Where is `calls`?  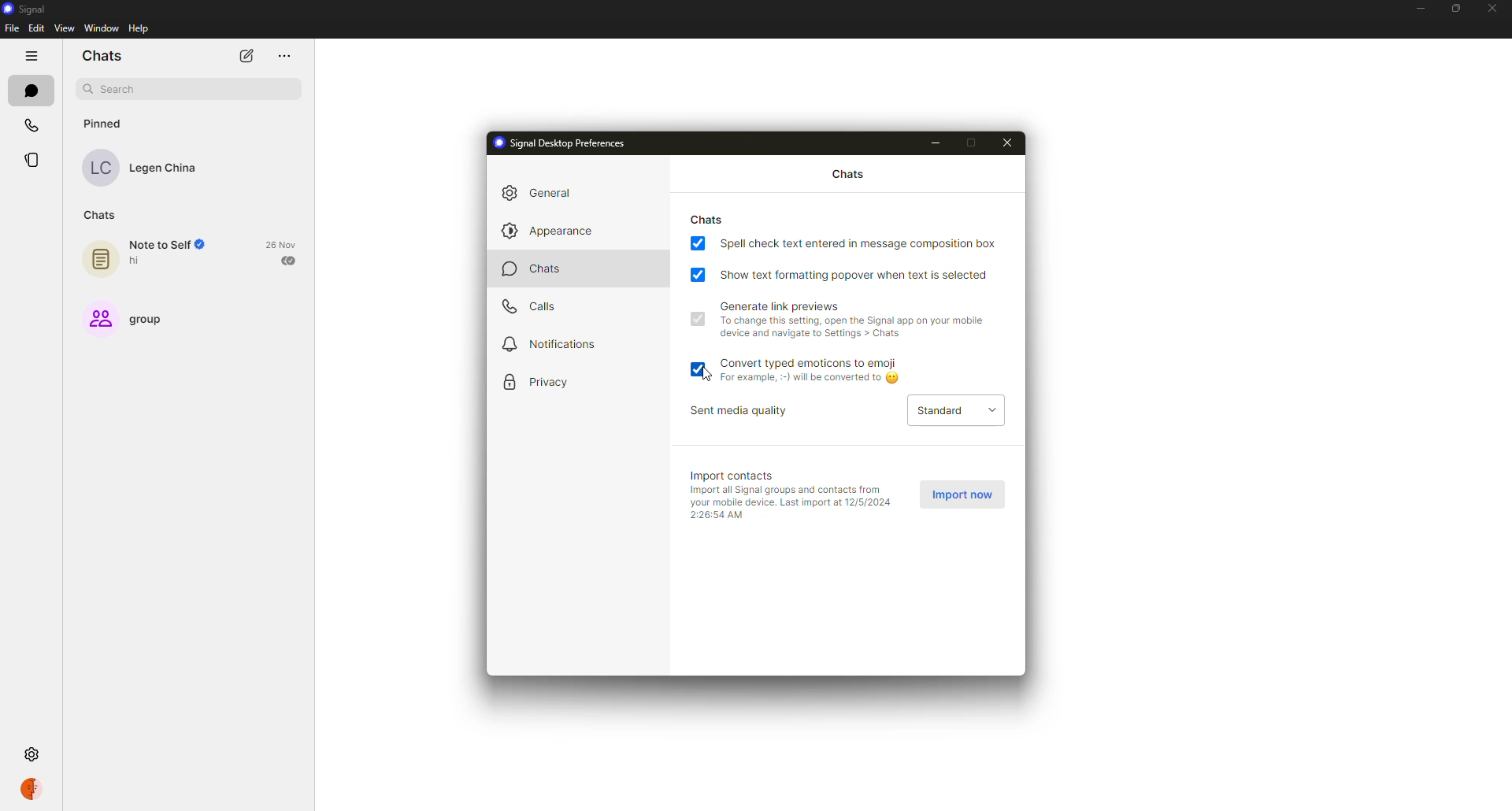 calls is located at coordinates (530, 308).